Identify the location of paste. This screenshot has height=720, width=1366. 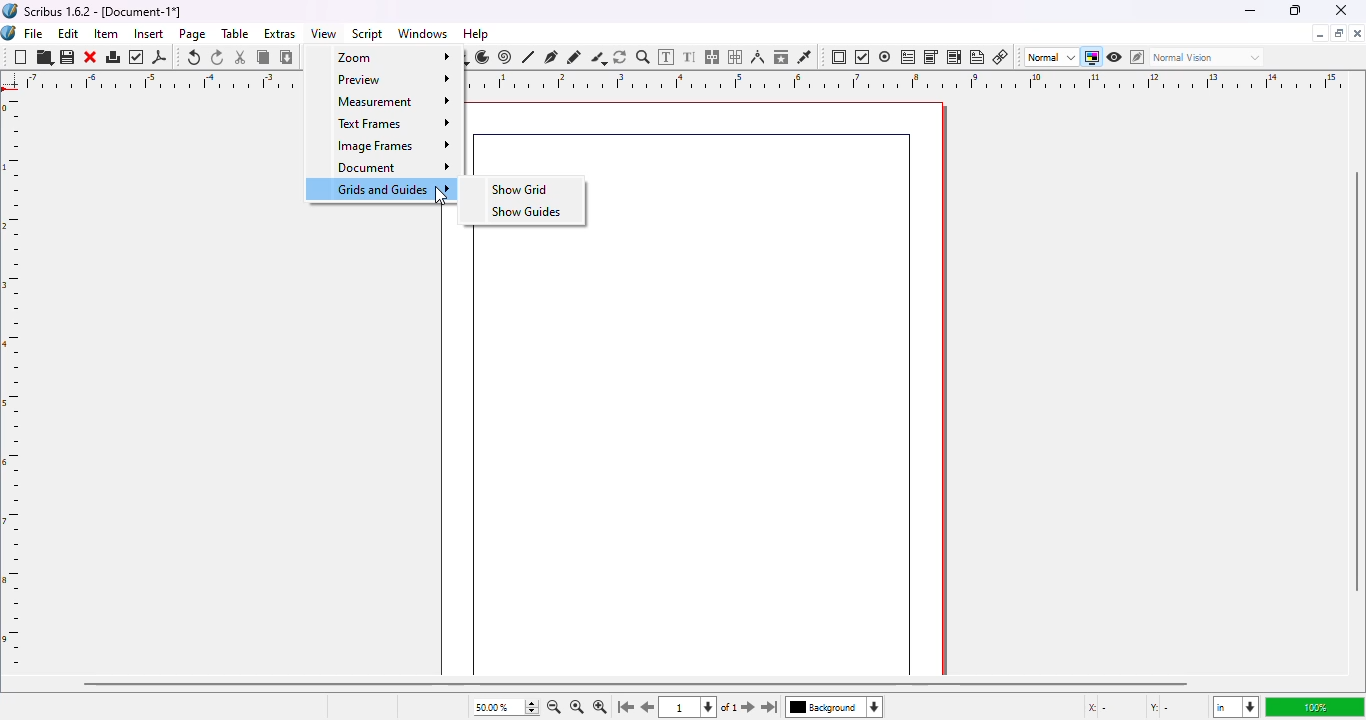
(287, 57).